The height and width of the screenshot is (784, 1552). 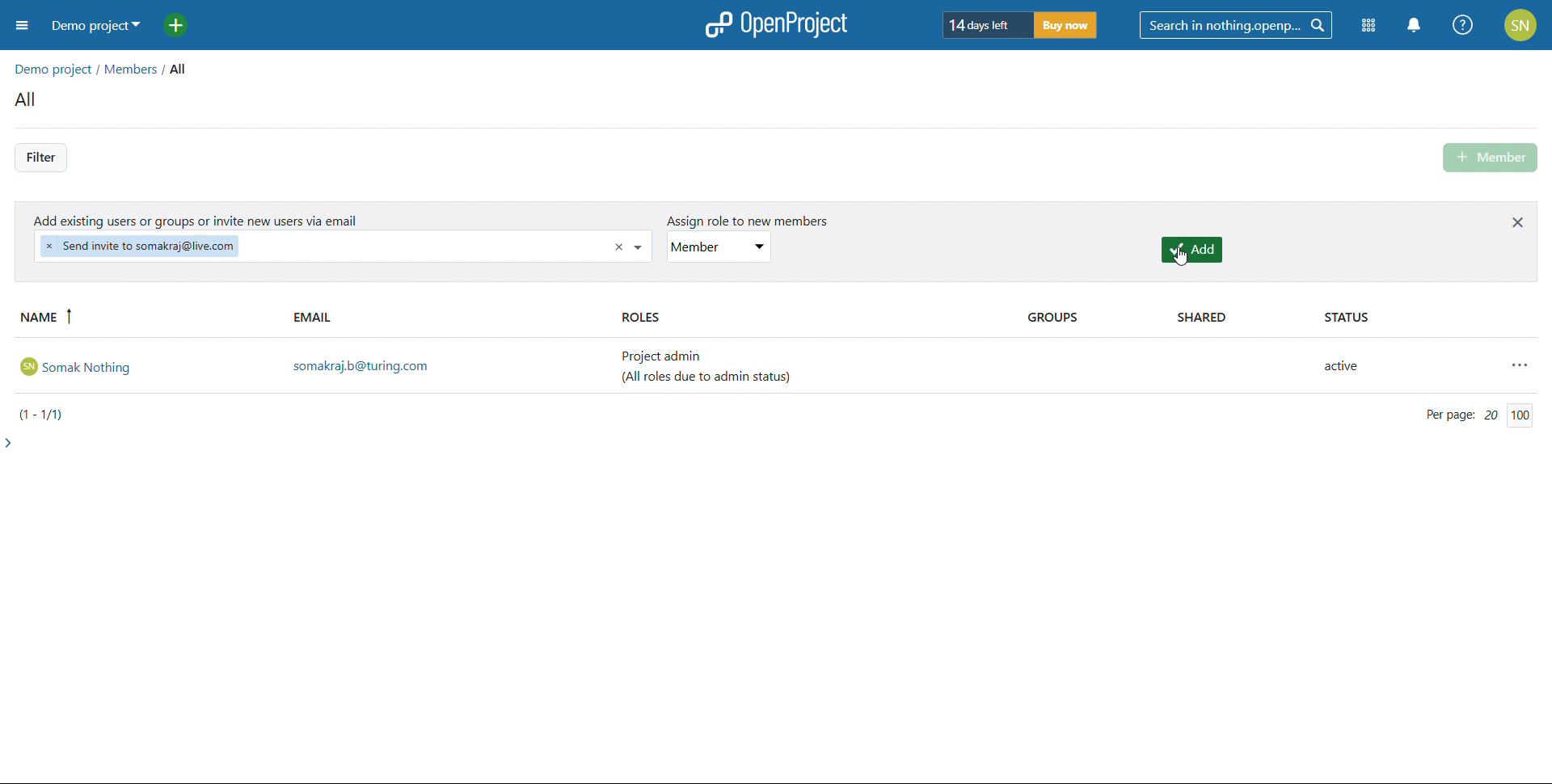 I want to click on demo projects/, so click(x=55, y=67).